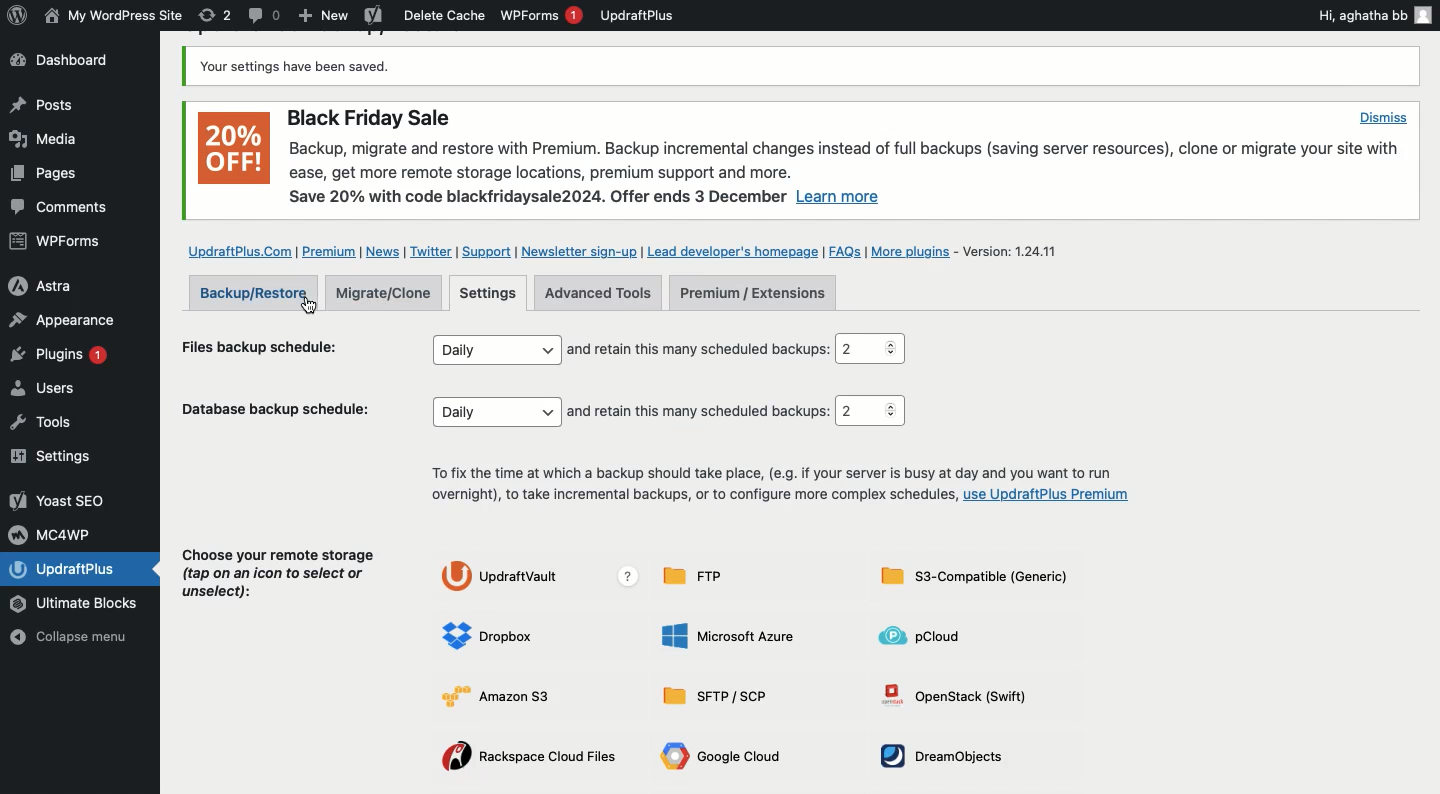  Describe the element at coordinates (63, 391) in the screenshot. I see `Users` at that location.